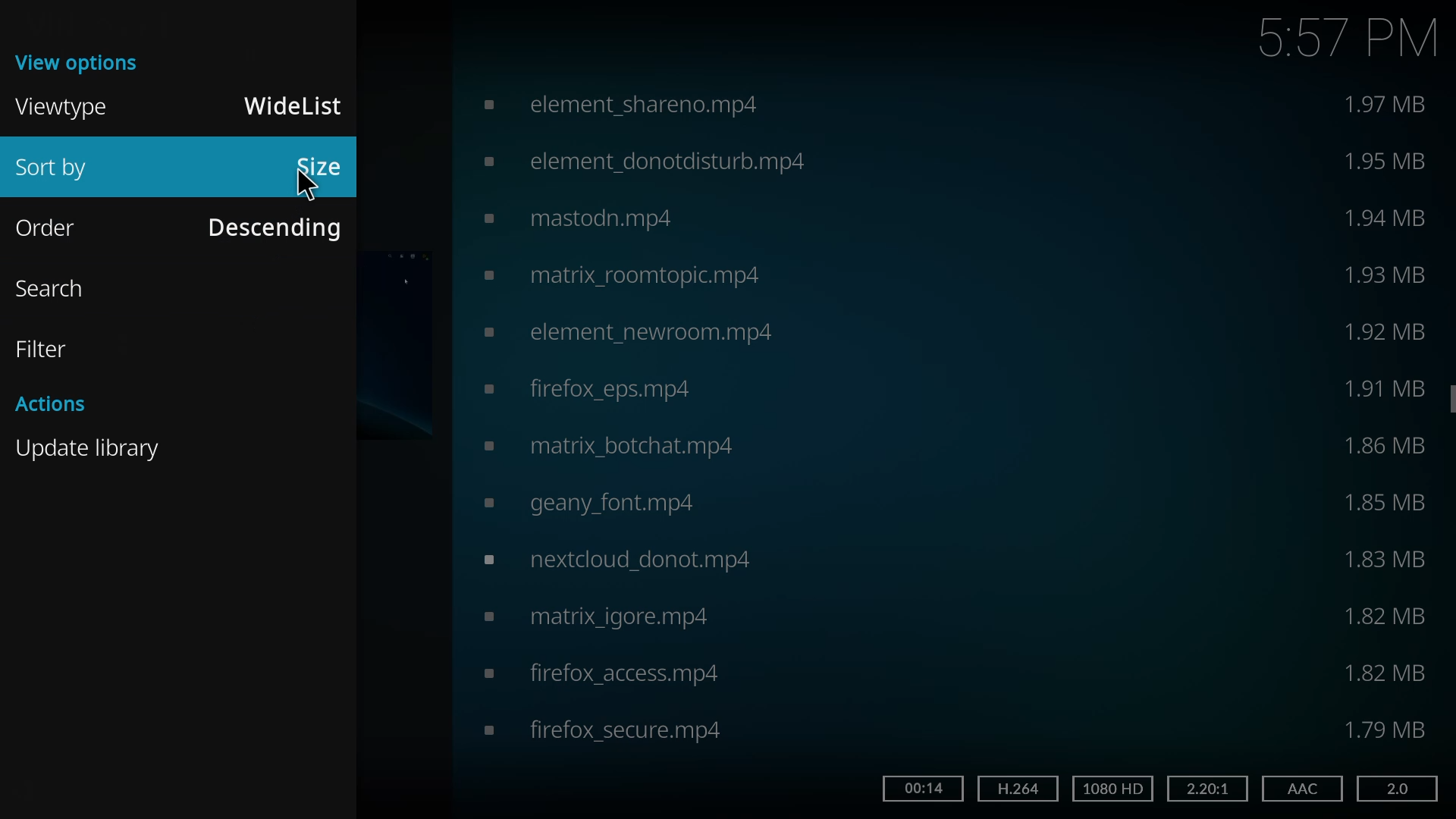 The height and width of the screenshot is (819, 1456). I want to click on widelist, so click(297, 106).